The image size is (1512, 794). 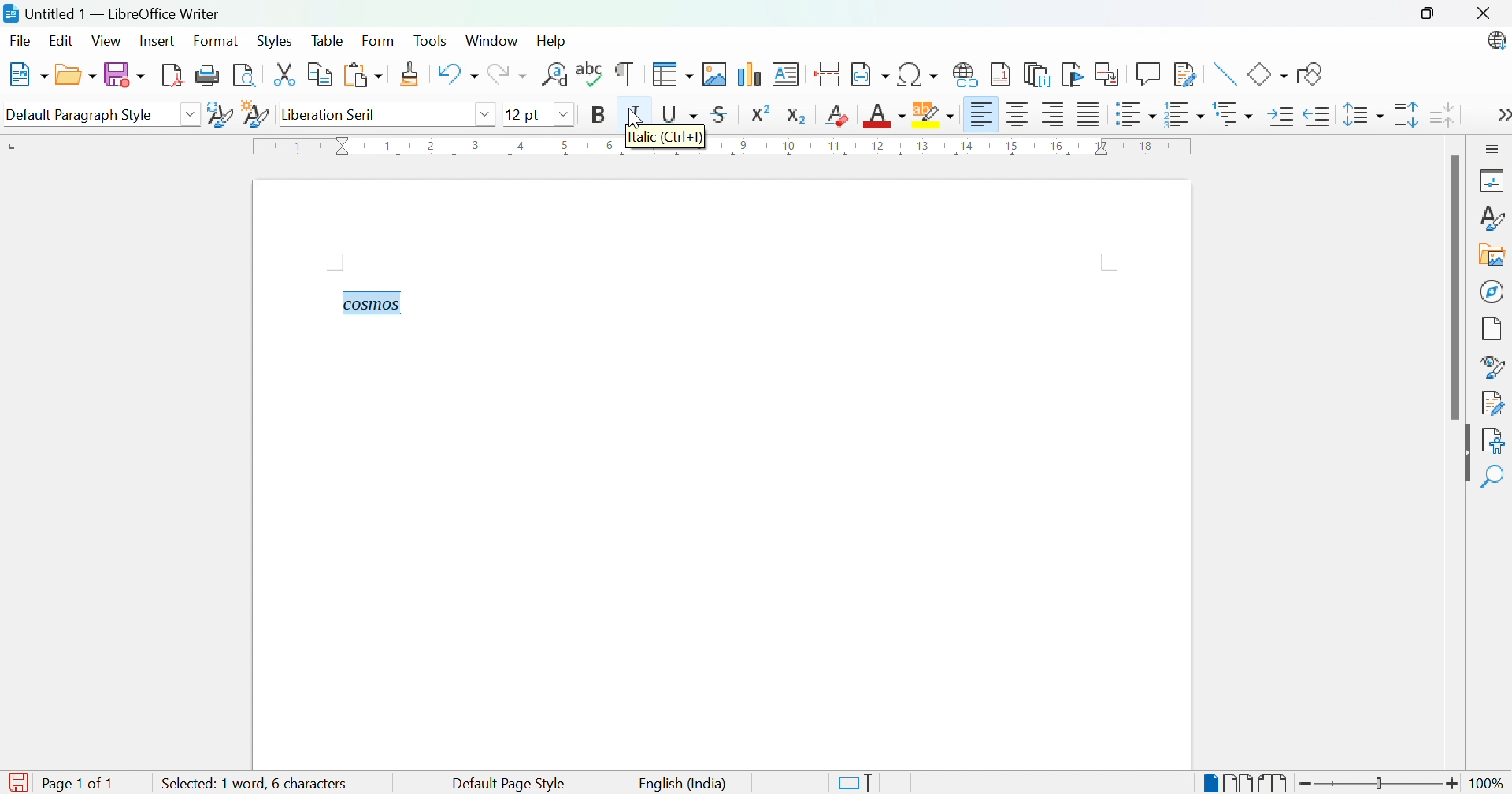 I want to click on Set line spacing, so click(x=1362, y=114).